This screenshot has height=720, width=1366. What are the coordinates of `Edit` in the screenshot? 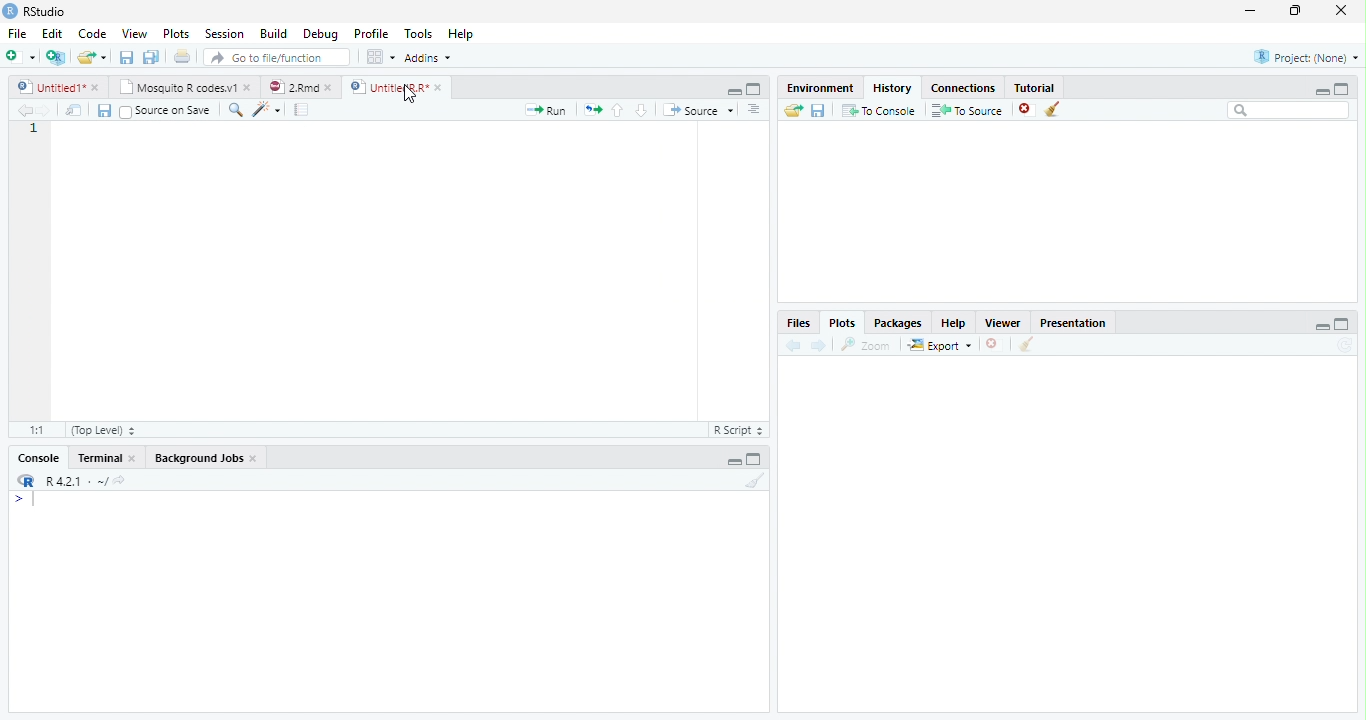 It's located at (50, 33).